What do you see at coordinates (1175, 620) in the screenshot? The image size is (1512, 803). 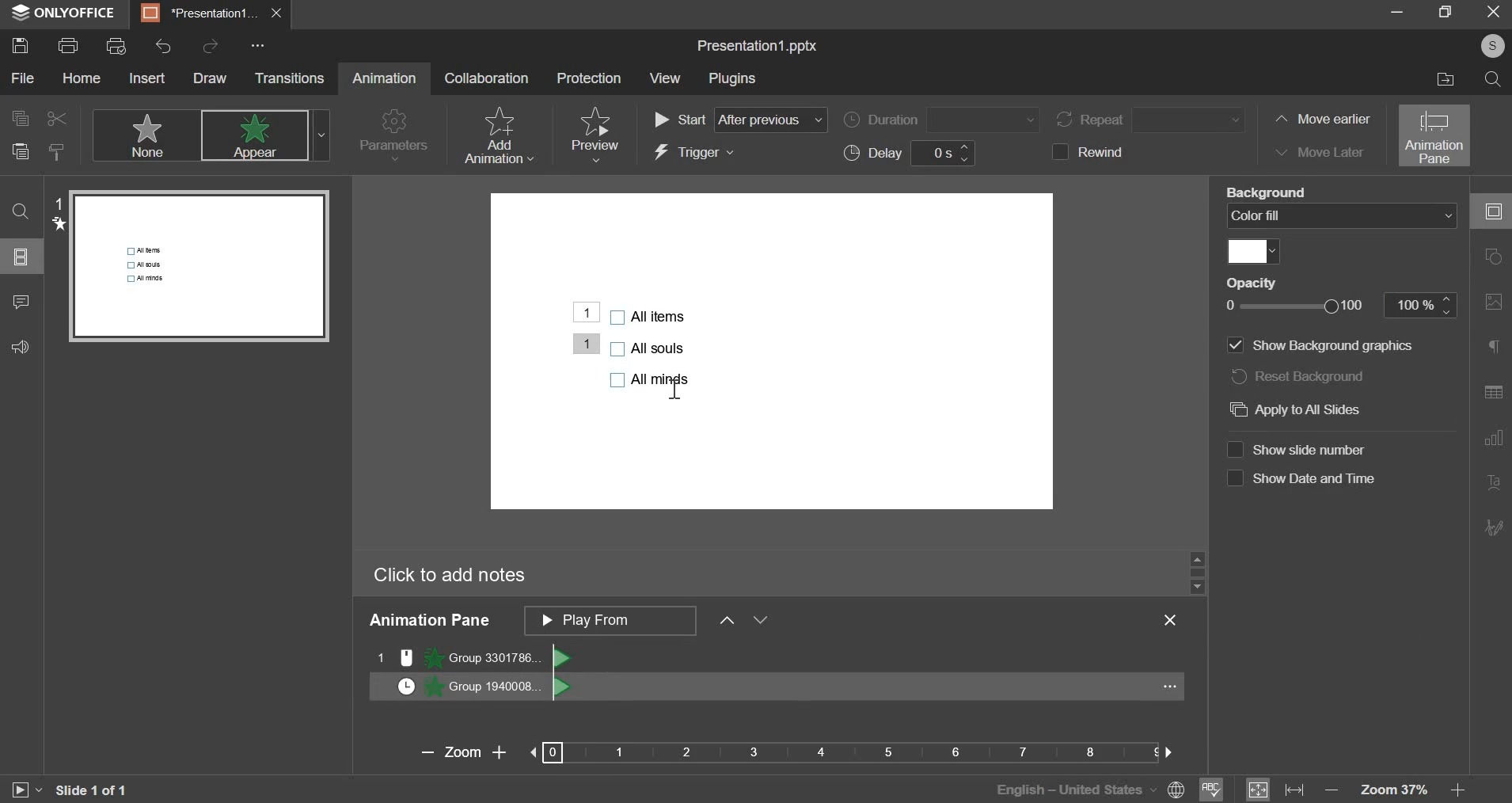 I see `exit` at bounding box center [1175, 620].